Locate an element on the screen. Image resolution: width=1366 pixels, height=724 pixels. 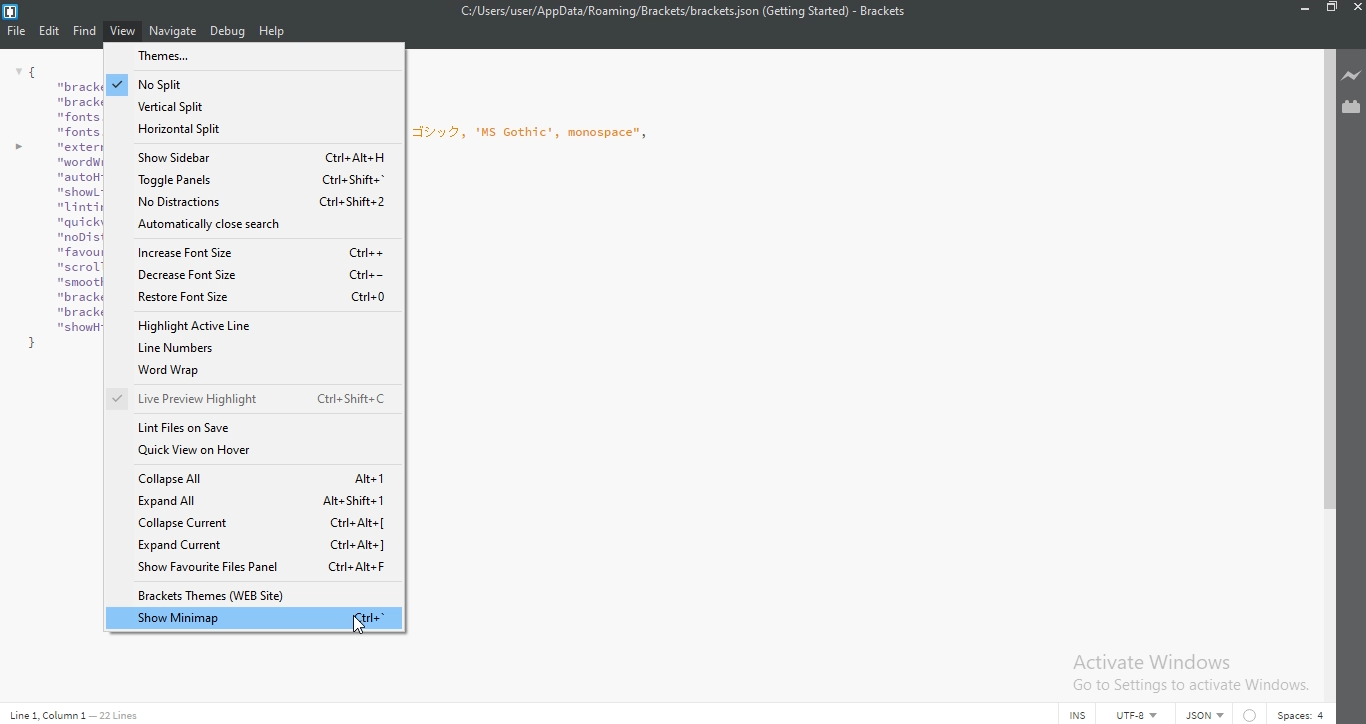
line numbers is located at coordinates (252, 347).